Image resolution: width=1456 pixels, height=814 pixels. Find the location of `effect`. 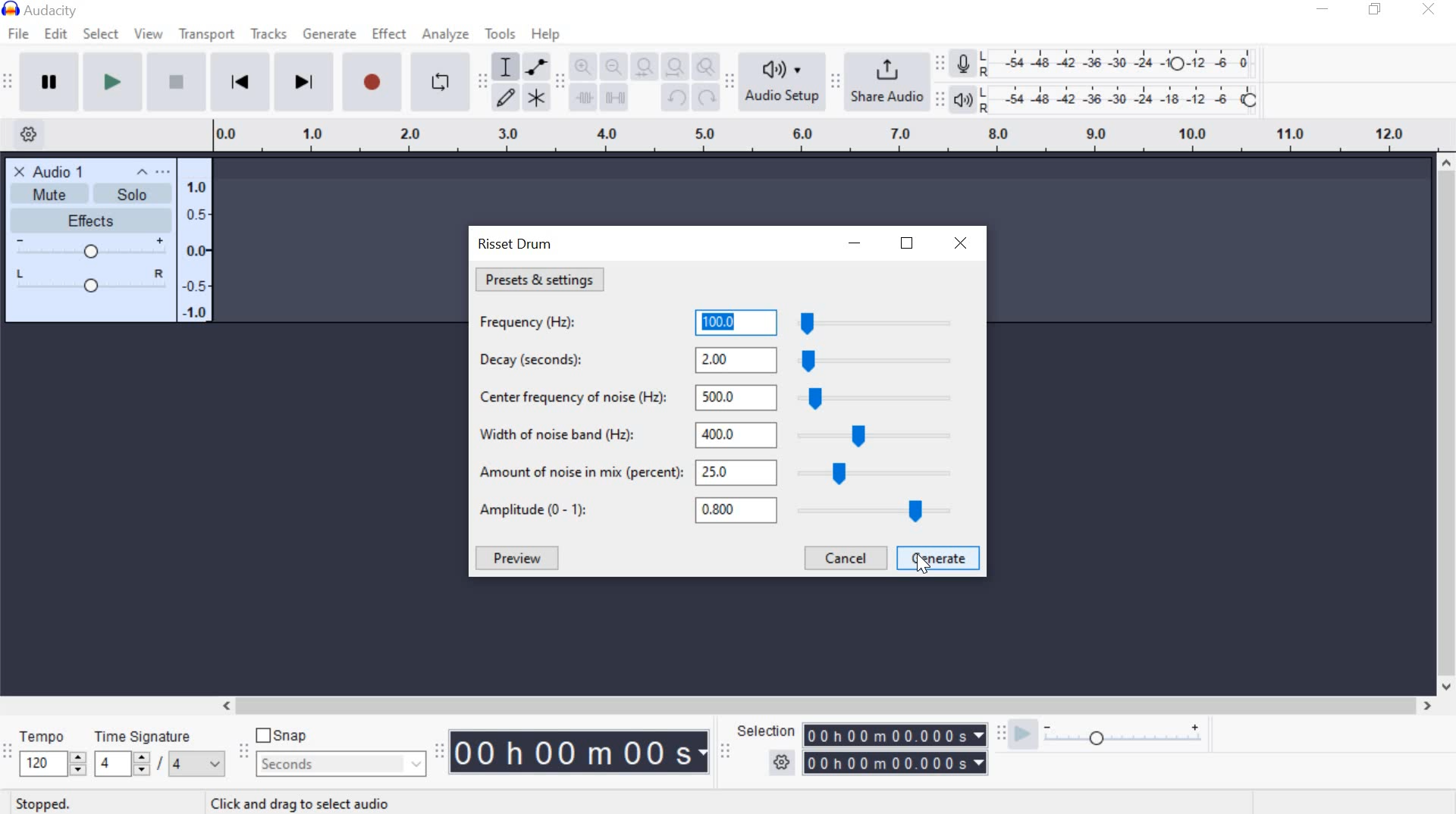

effect is located at coordinates (95, 220).